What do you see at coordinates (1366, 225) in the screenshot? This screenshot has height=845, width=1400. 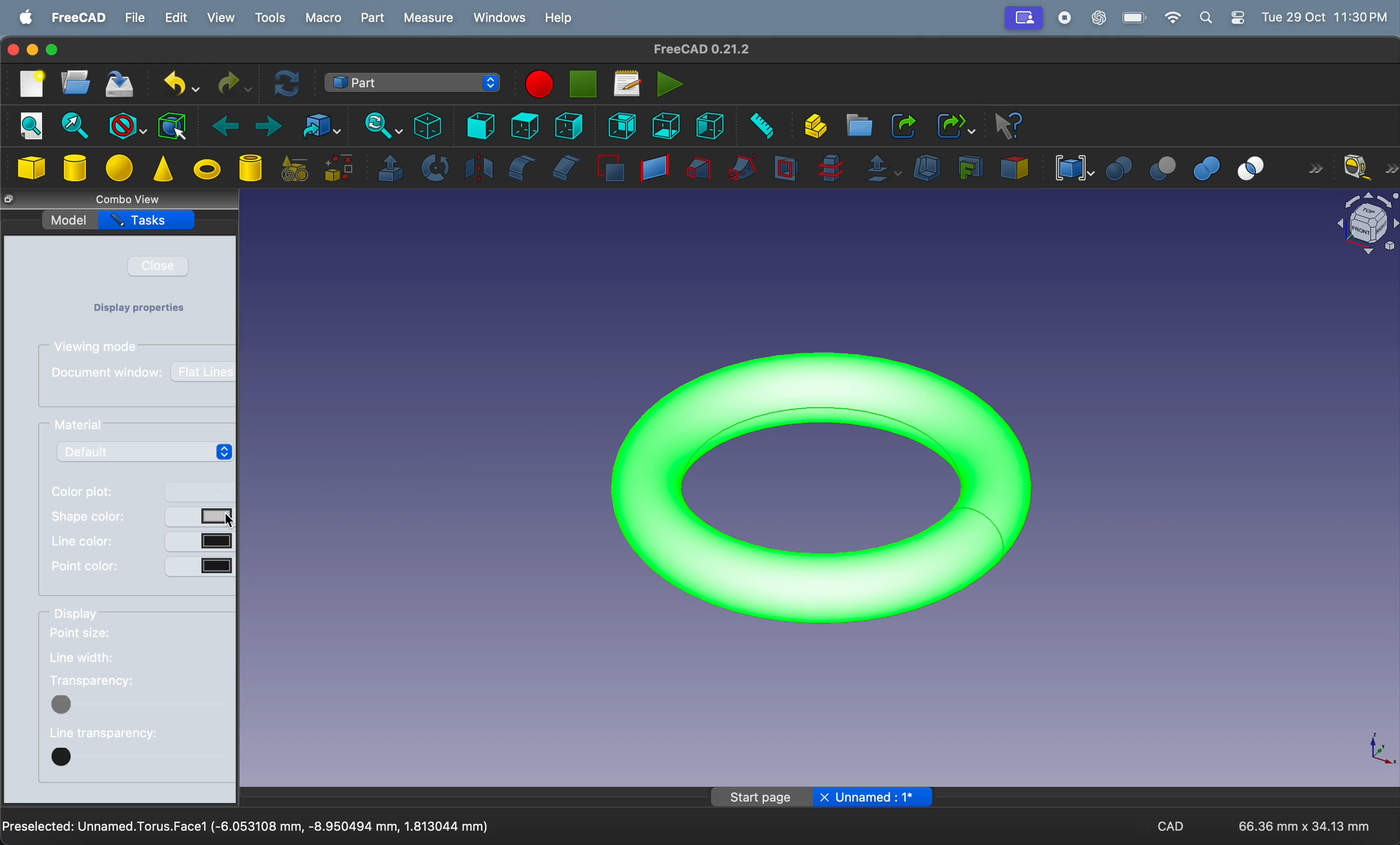 I see `object view` at bounding box center [1366, 225].